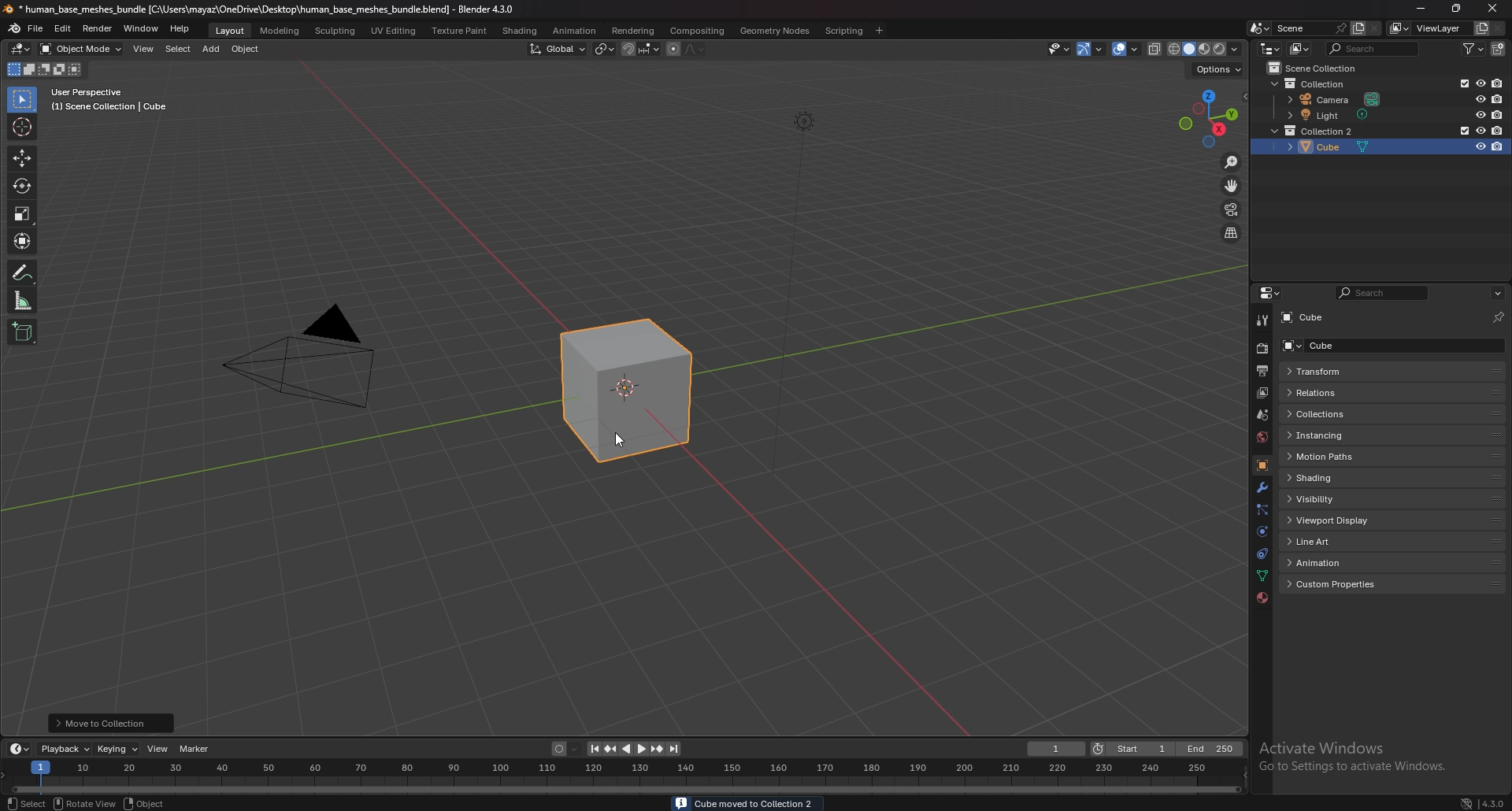 This screenshot has width=1512, height=811. Describe the element at coordinates (1339, 543) in the screenshot. I see `line art` at that location.